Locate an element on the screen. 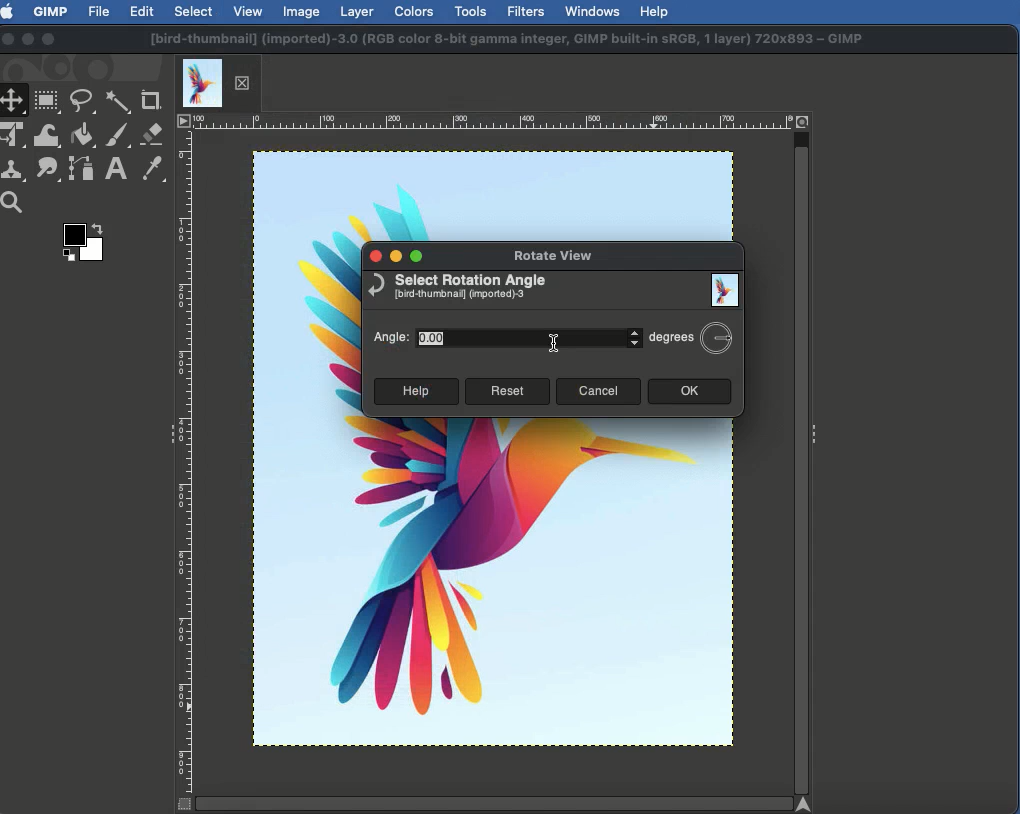  Colors is located at coordinates (415, 11).